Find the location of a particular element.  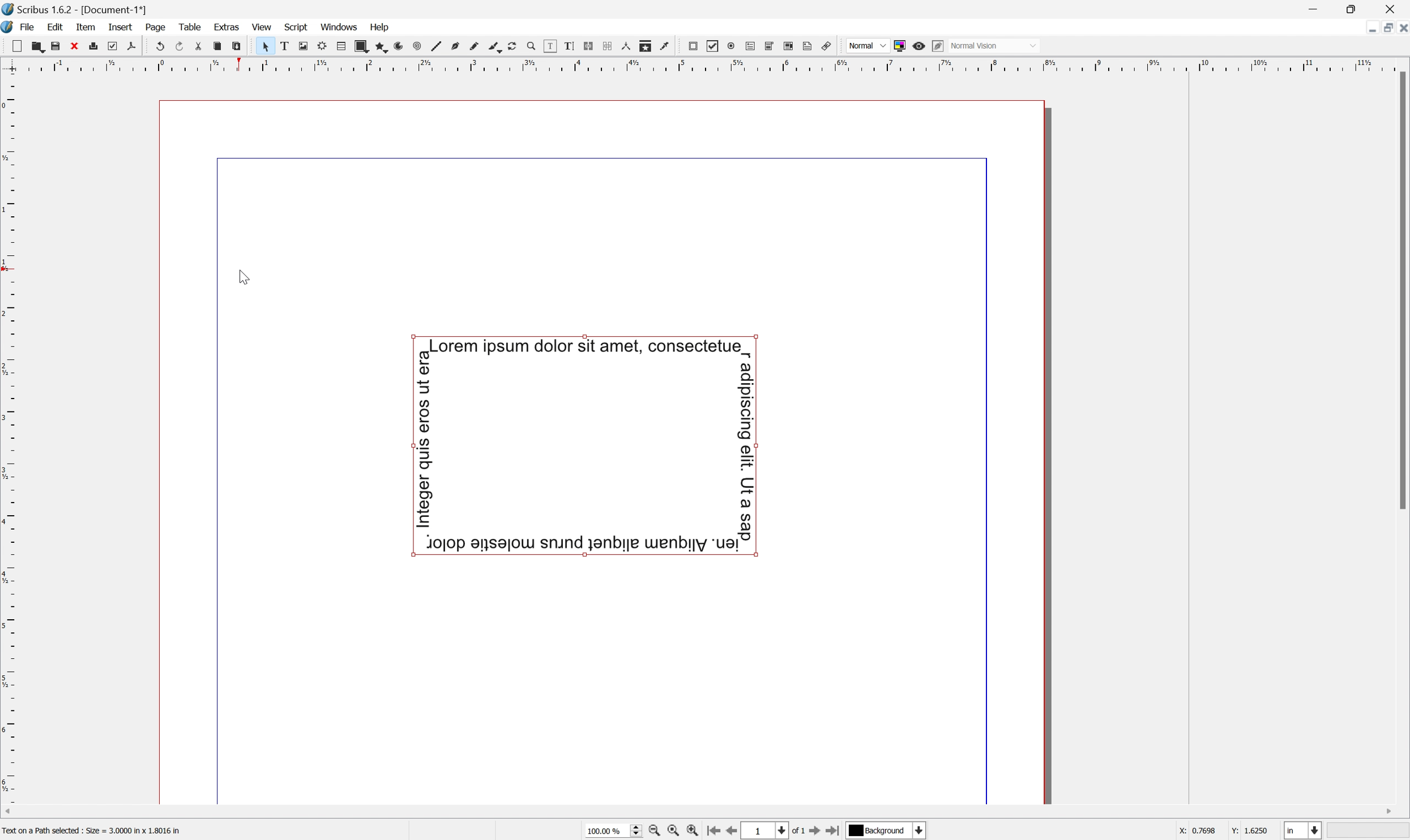

Redo is located at coordinates (179, 46).